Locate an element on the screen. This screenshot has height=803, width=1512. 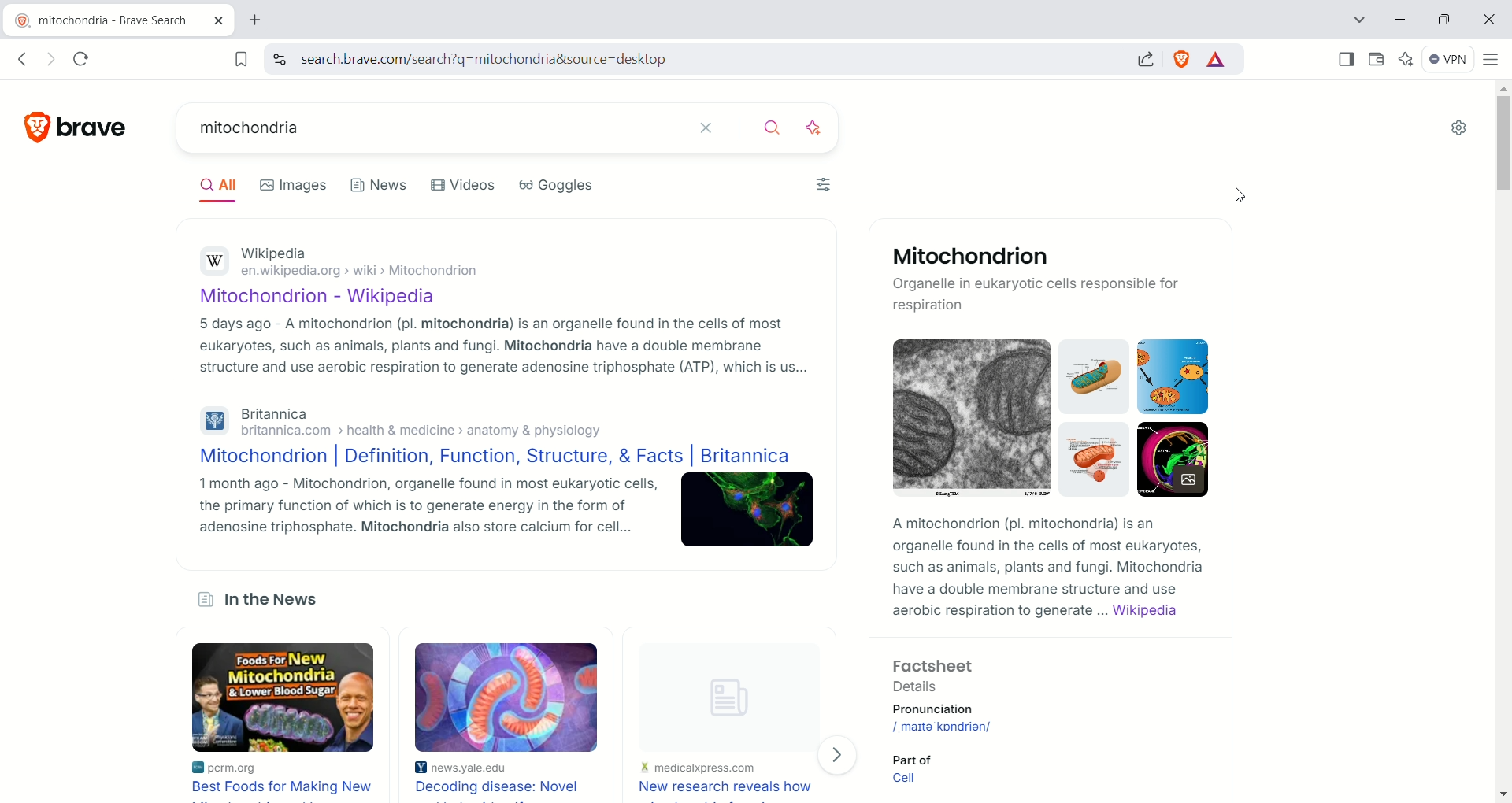
Part of is located at coordinates (928, 759).